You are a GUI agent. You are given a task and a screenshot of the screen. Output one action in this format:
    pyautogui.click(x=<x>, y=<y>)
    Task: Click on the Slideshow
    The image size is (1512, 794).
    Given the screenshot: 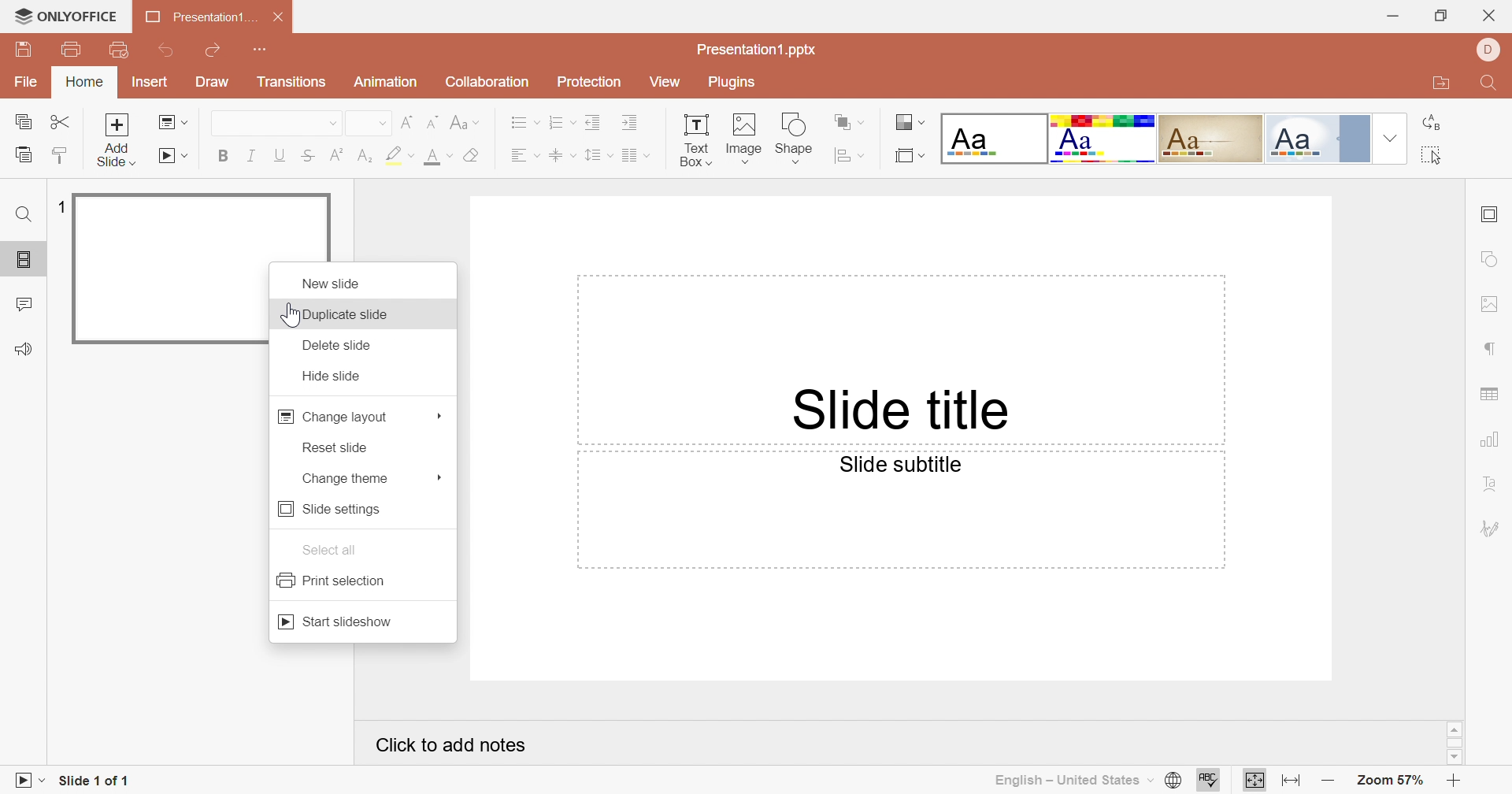 What is the action you would take?
    pyautogui.click(x=22, y=781)
    